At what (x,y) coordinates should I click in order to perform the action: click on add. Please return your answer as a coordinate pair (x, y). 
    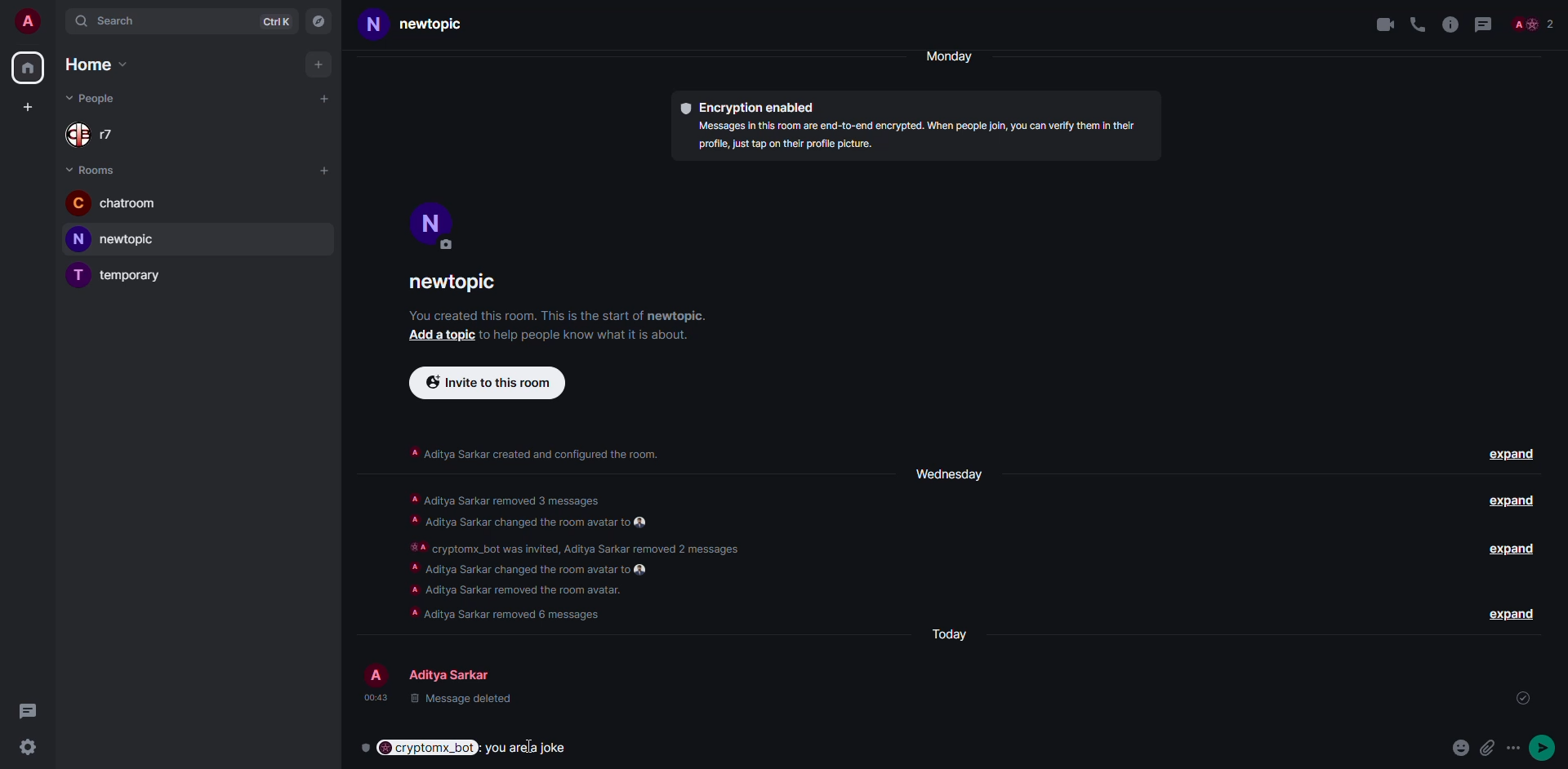
    Looking at the image, I should click on (324, 100).